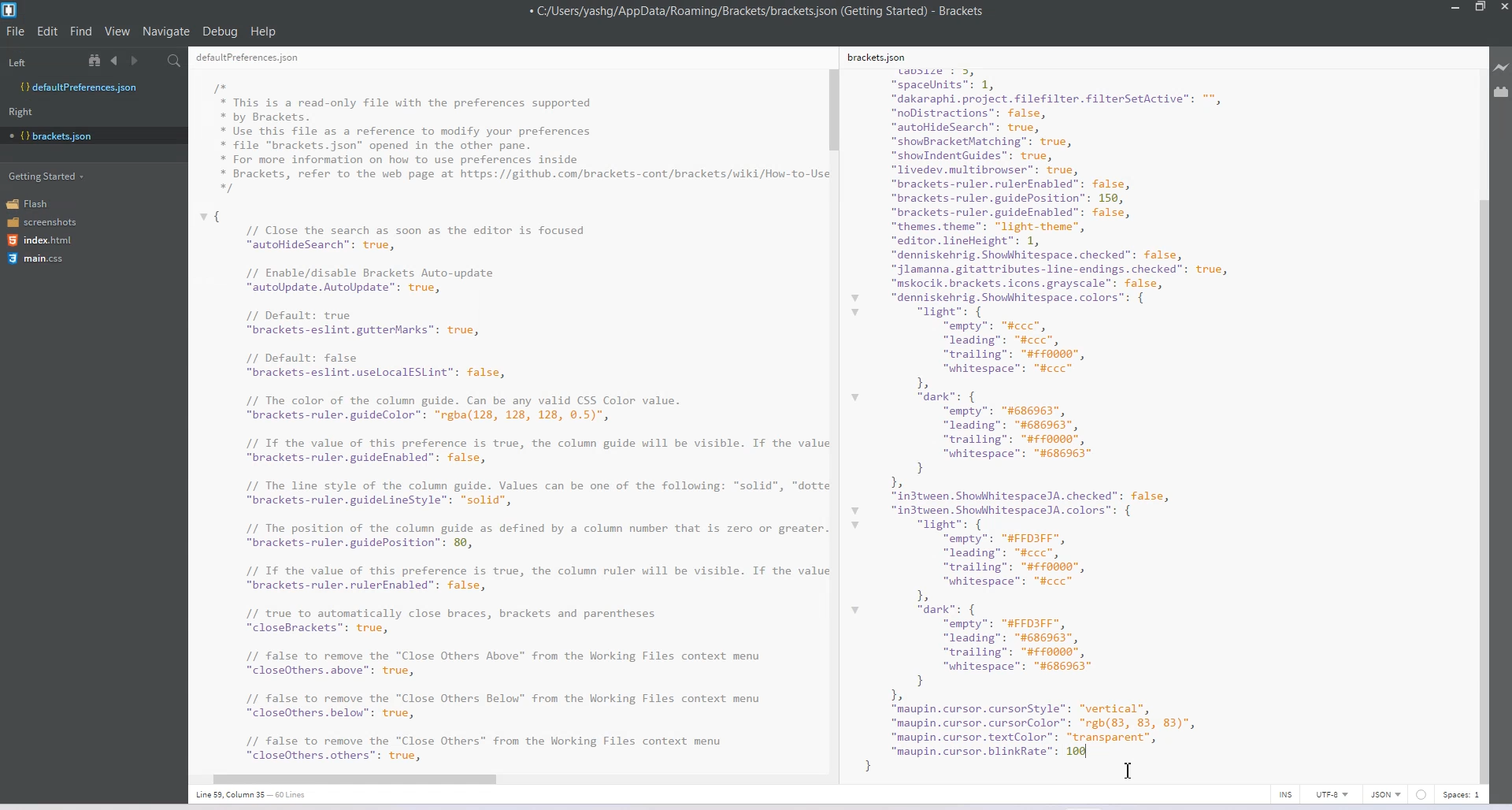 The width and height of the screenshot is (1512, 810). I want to click on Flash, so click(33, 203).